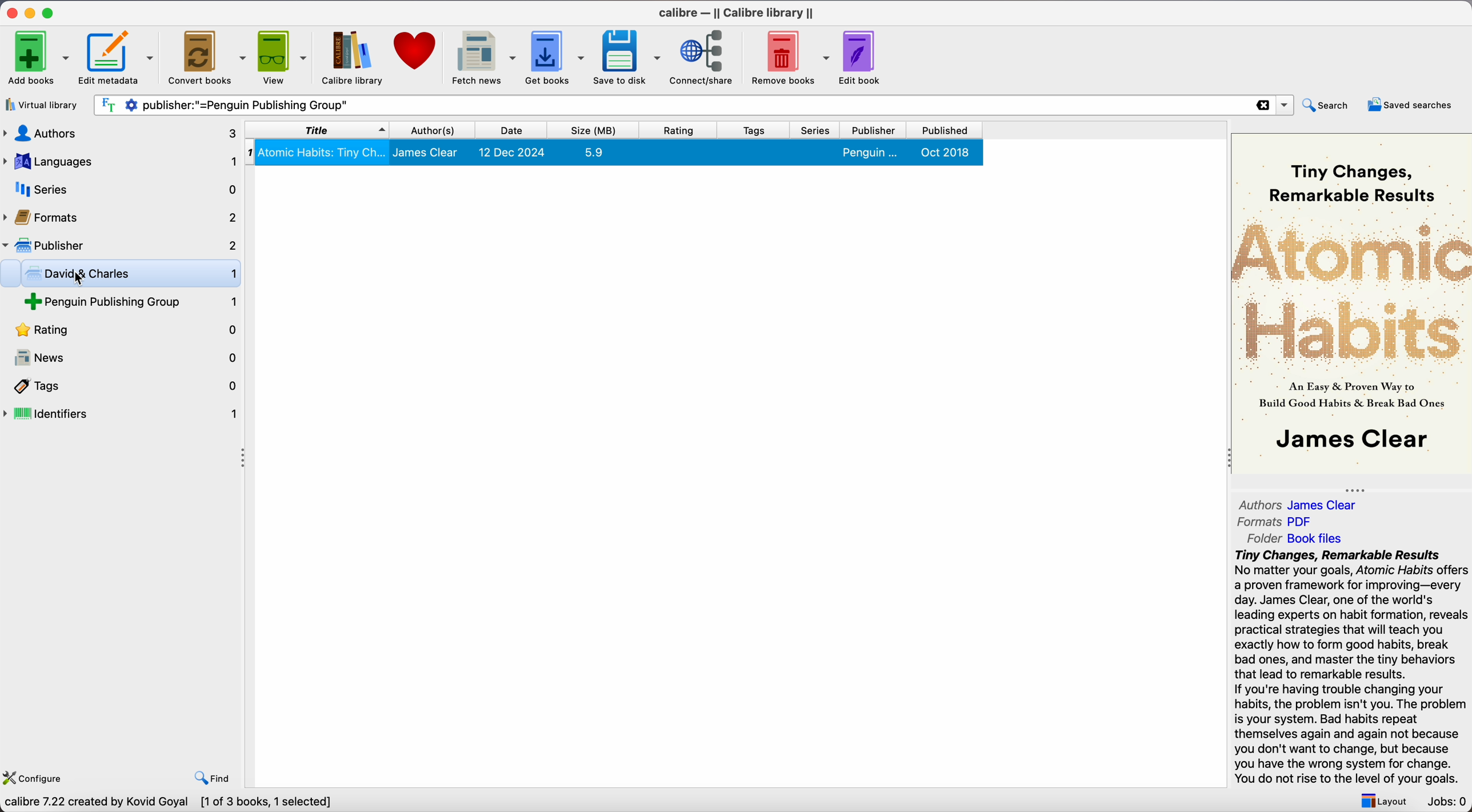 This screenshot has width=1472, height=812. What do you see at coordinates (133, 303) in the screenshot?
I see `Penguin in Publishing Group` at bounding box center [133, 303].